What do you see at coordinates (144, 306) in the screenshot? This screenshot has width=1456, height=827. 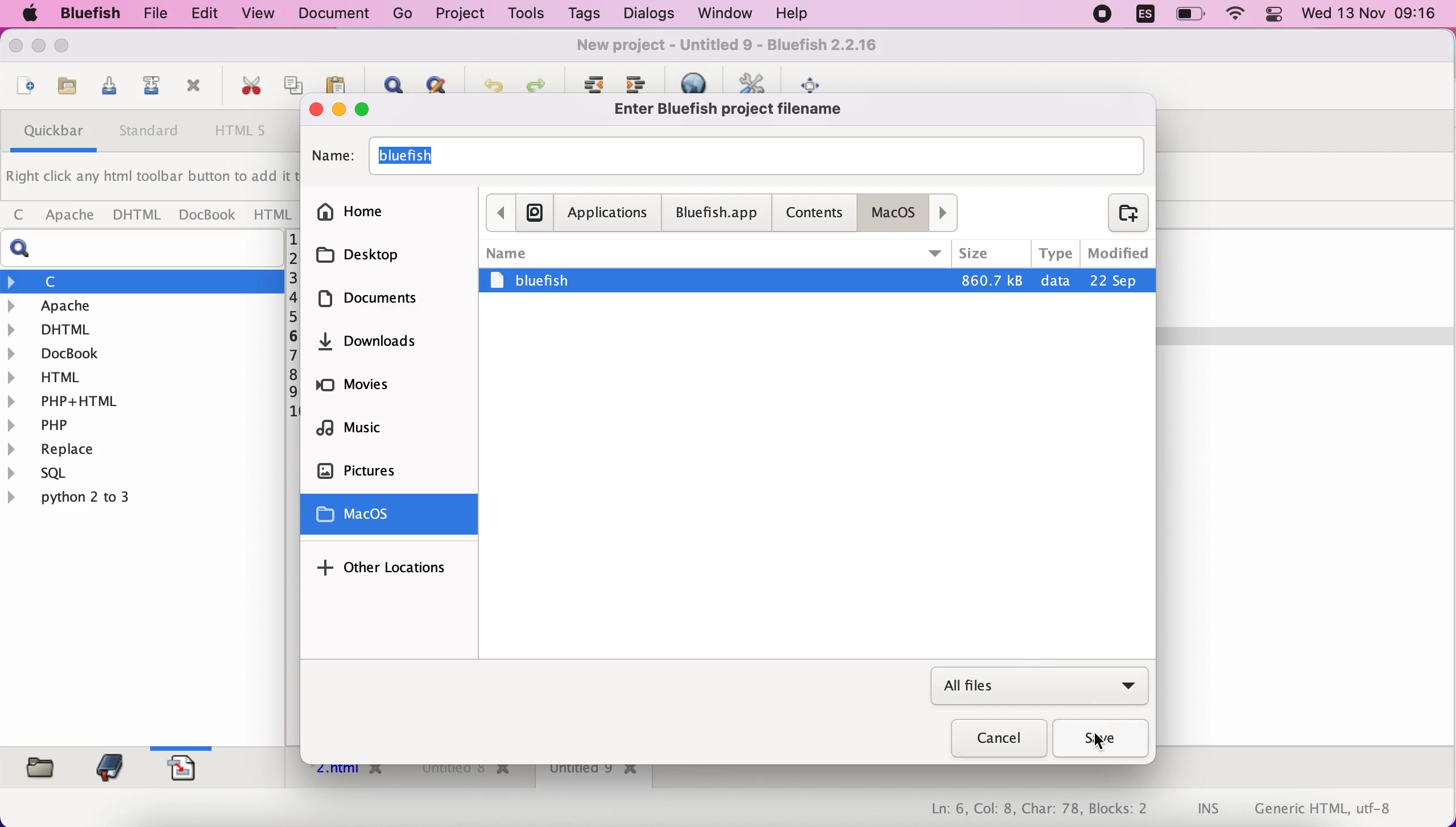 I see `apache` at bounding box center [144, 306].